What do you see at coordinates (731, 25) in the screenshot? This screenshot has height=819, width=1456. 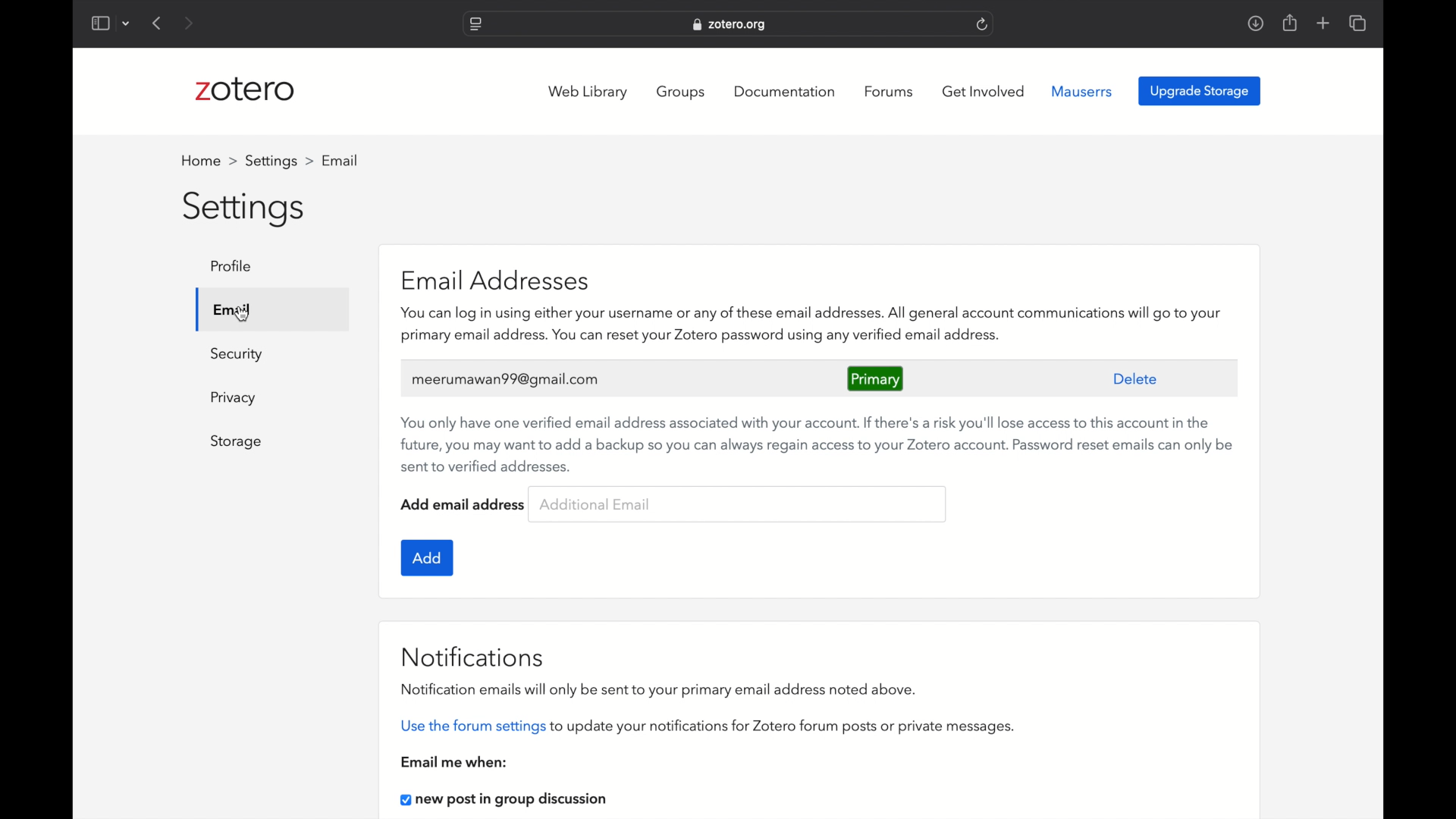 I see `website address` at bounding box center [731, 25].